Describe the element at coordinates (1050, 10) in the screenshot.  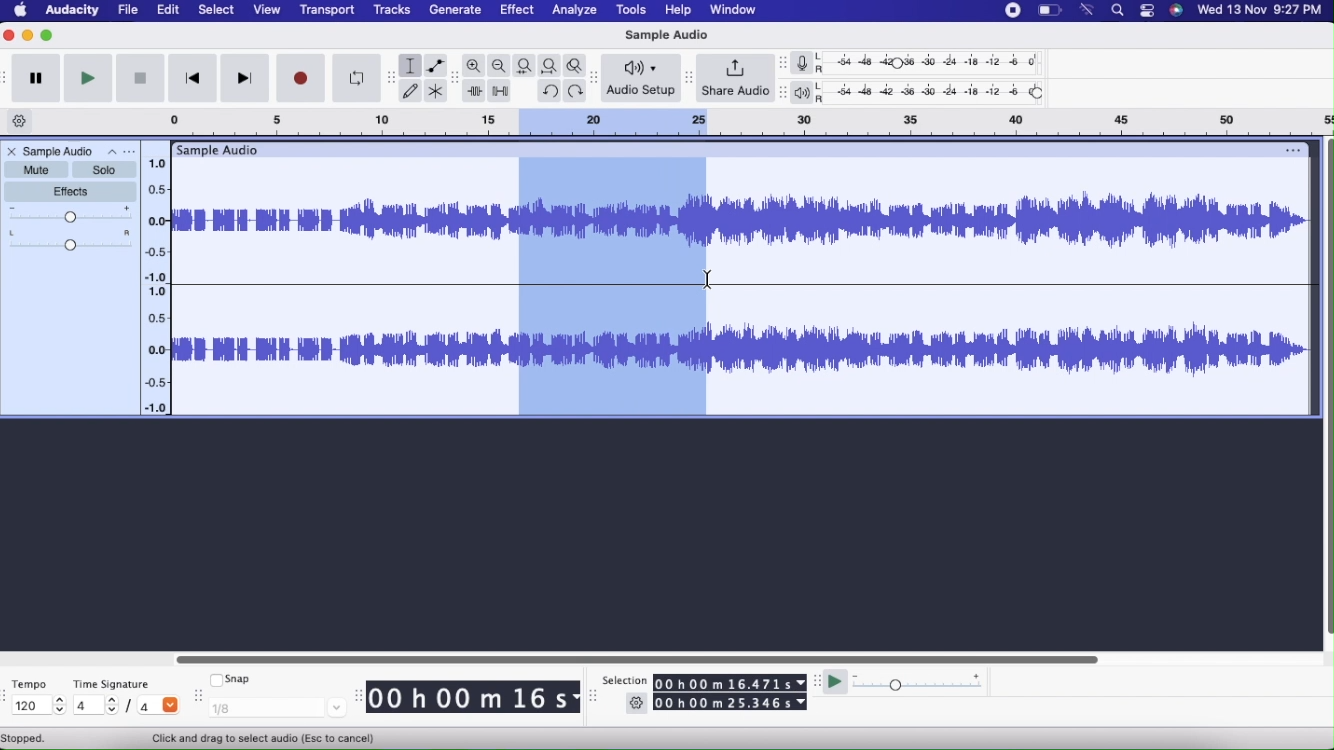
I see `power` at that location.